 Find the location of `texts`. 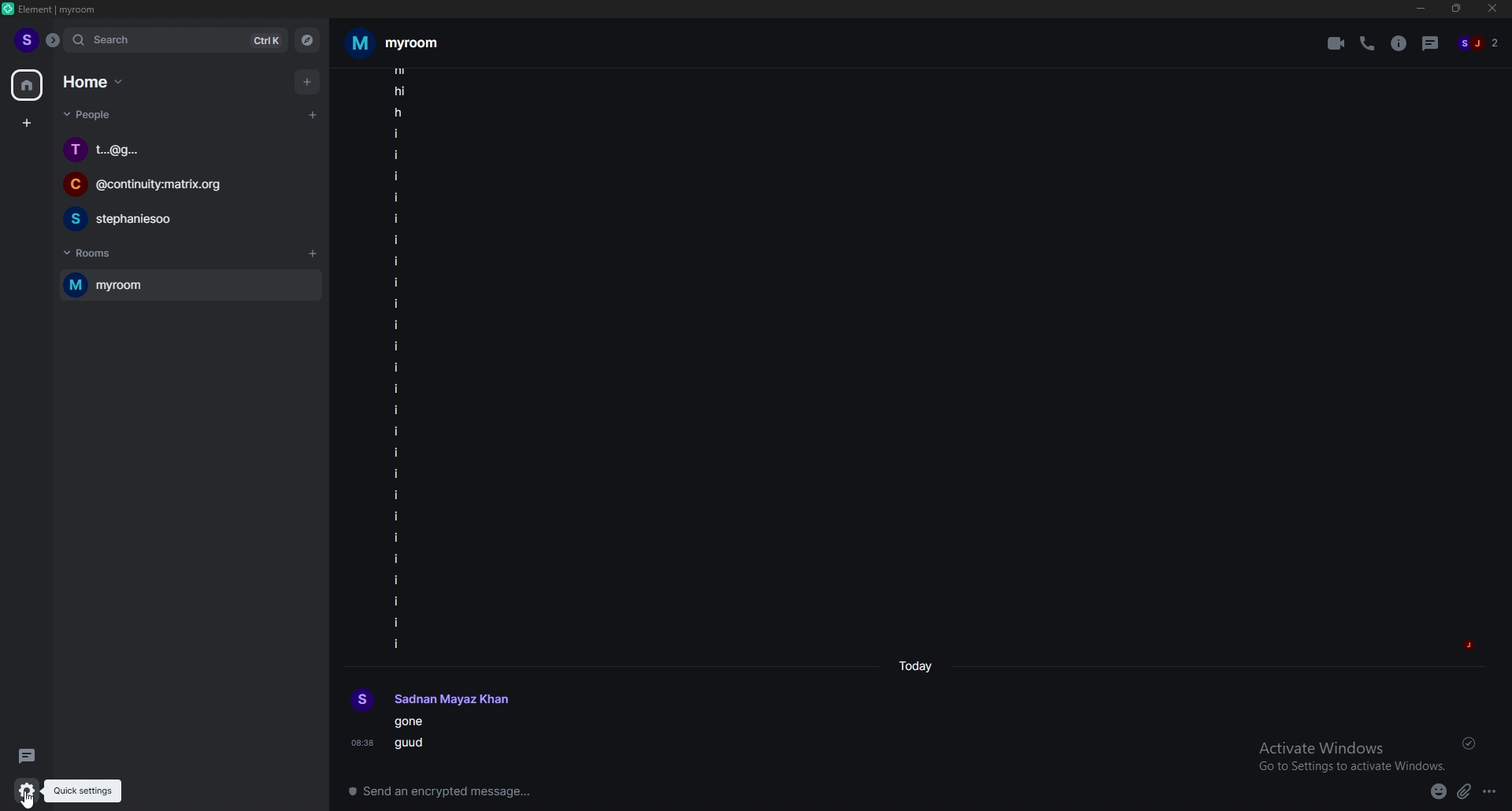

texts is located at coordinates (398, 358).